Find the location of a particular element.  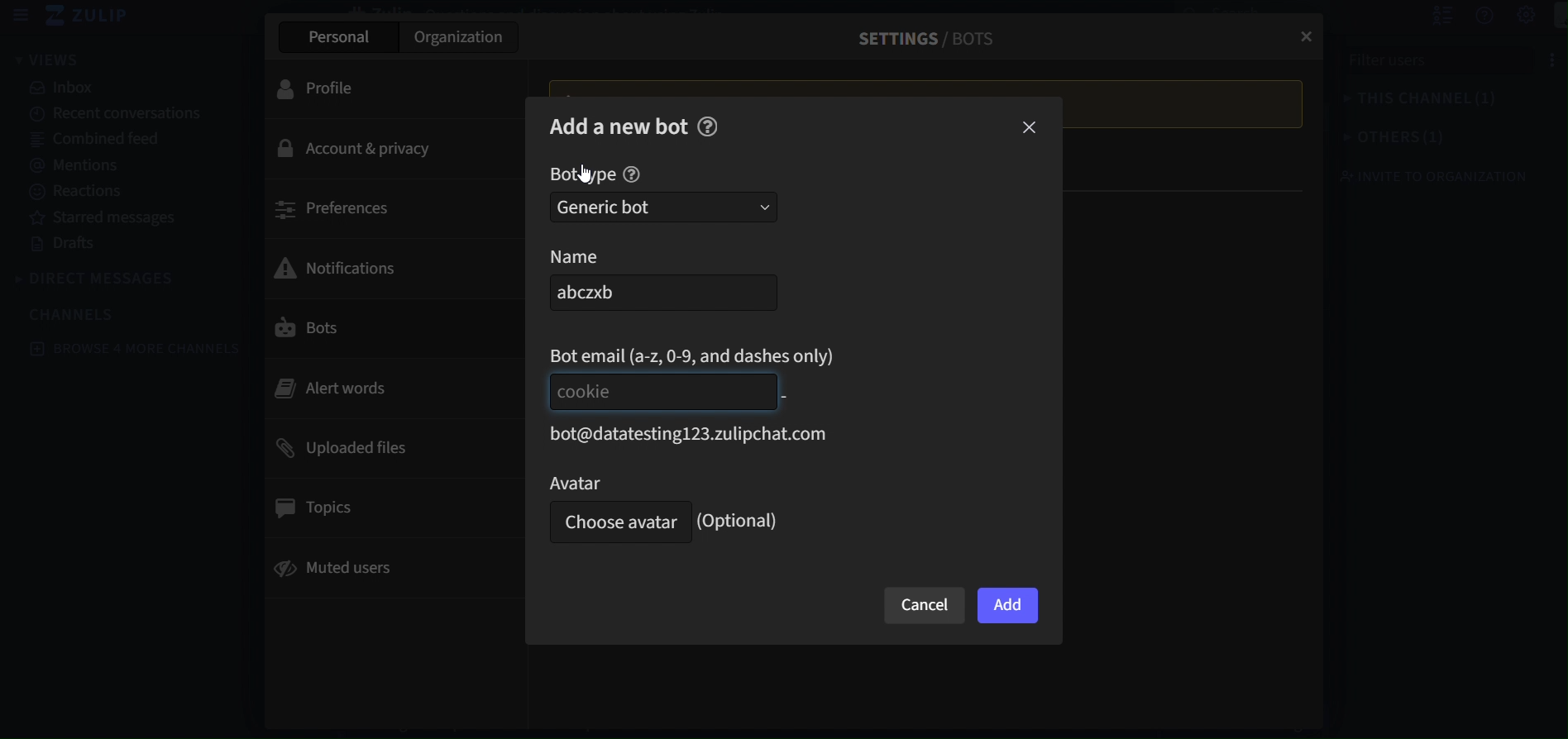

preferences is located at coordinates (385, 207).